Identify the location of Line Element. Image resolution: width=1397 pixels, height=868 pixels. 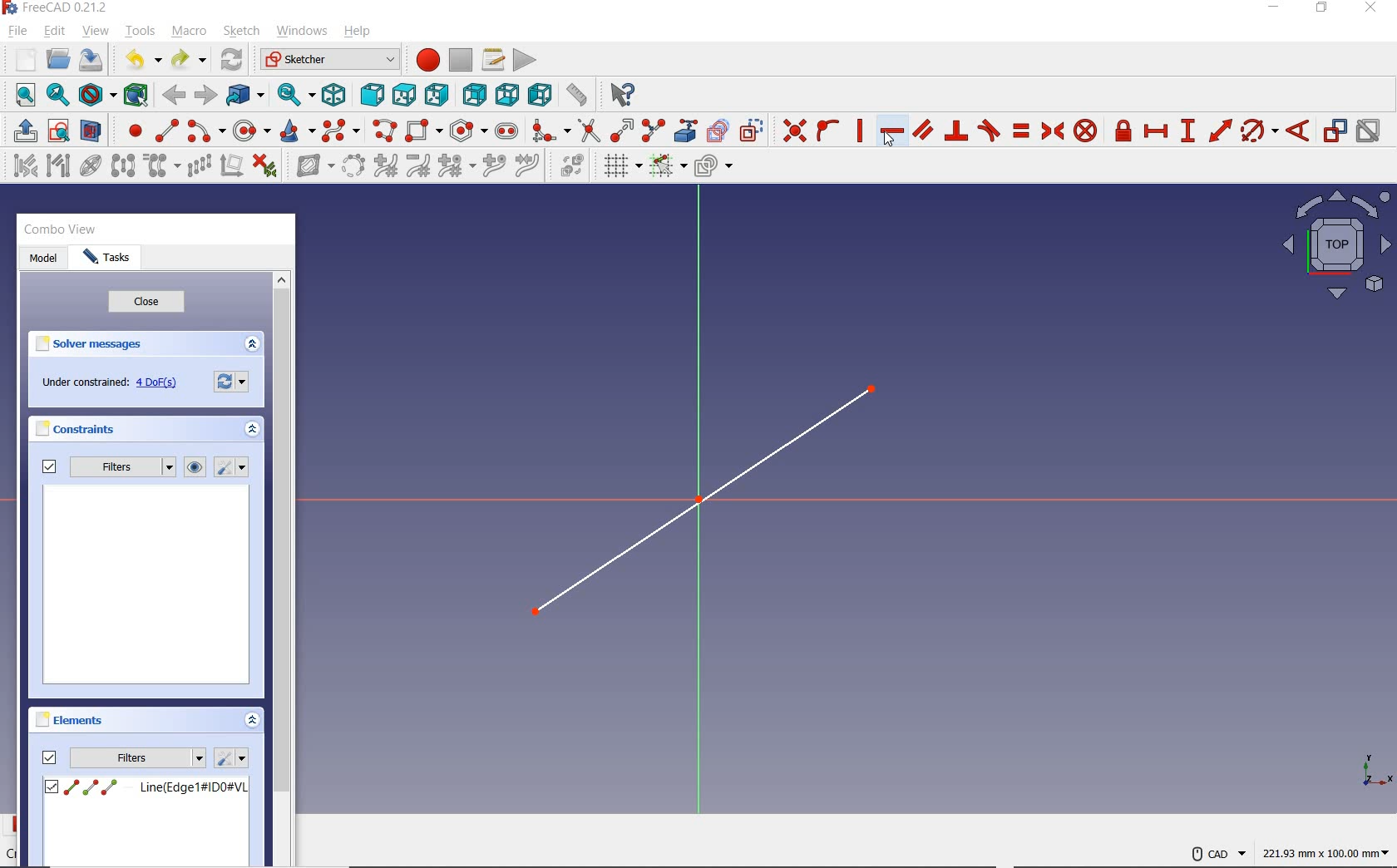
(146, 787).